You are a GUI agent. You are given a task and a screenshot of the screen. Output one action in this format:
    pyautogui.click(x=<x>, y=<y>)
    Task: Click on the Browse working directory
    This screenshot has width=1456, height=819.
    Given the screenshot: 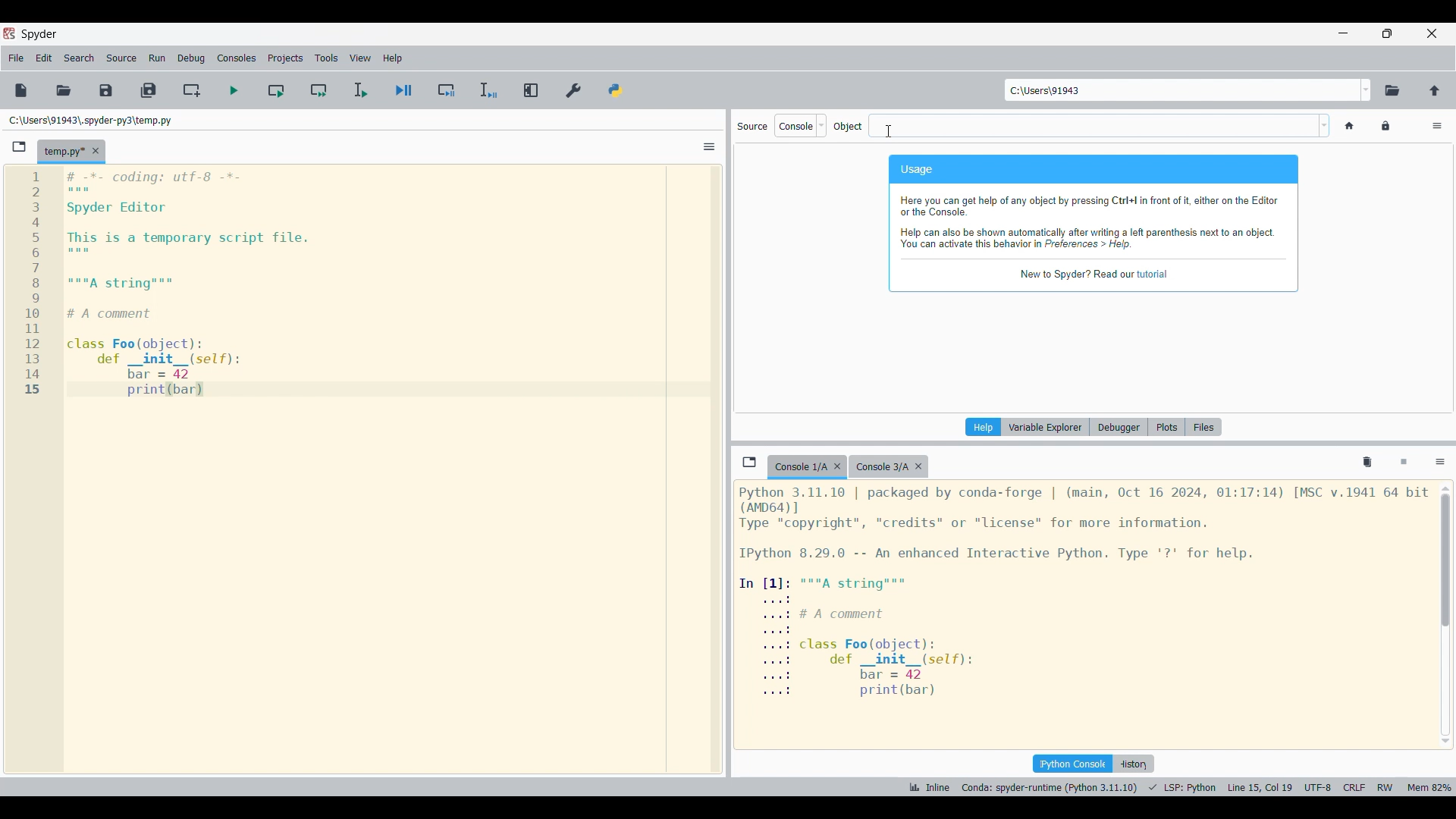 What is the action you would take?
    pyautogui.click(x=1393, y=90)
    